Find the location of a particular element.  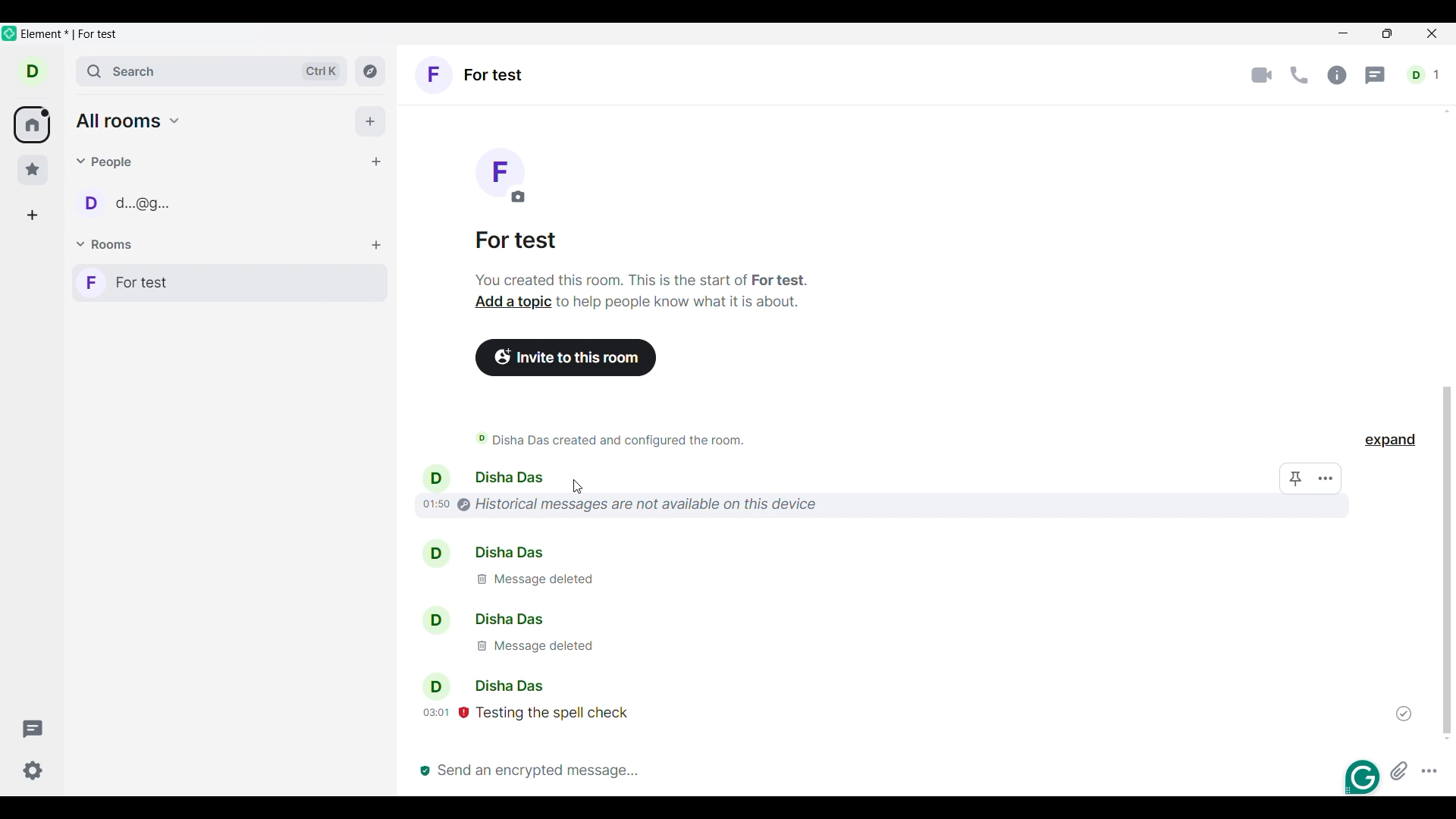

Close interface is located at coordinates (1433, 35).